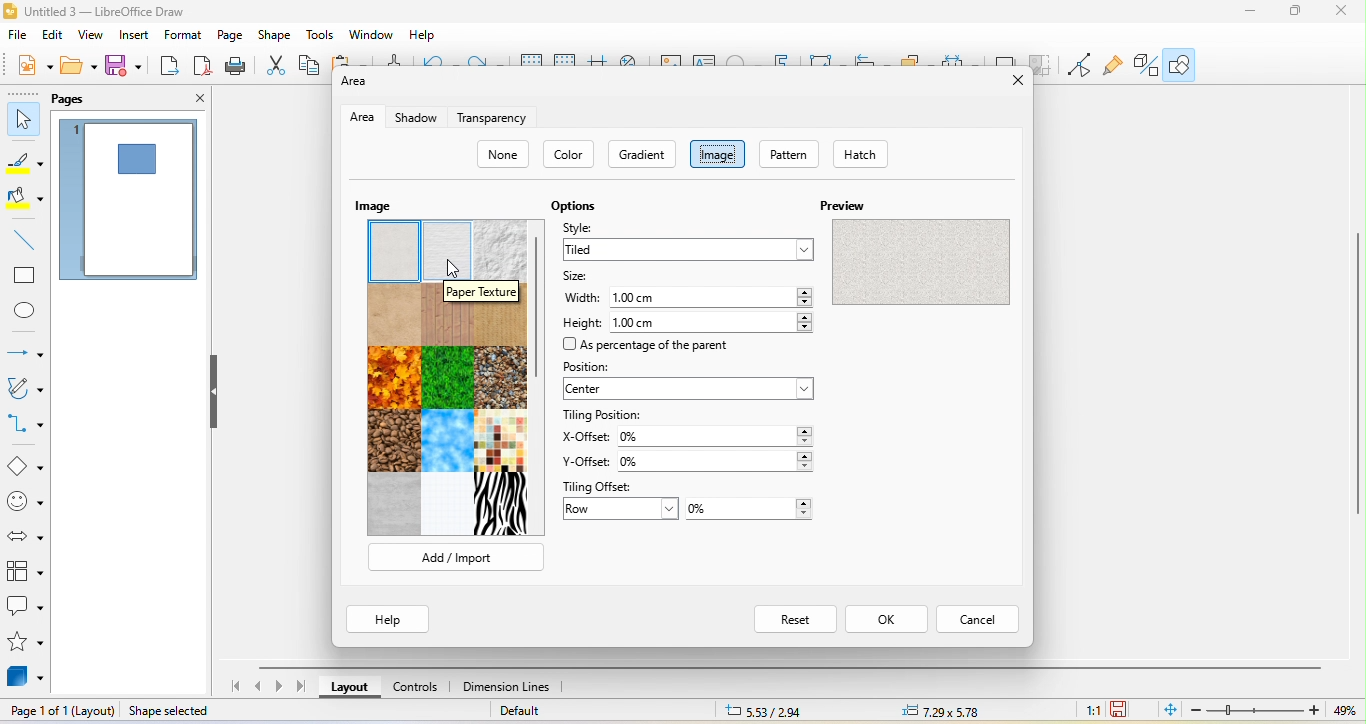 The image size is (1366, 724). Describe the element at coordinates (25, 610) in the screenshot. I see `callout shape` at that location.